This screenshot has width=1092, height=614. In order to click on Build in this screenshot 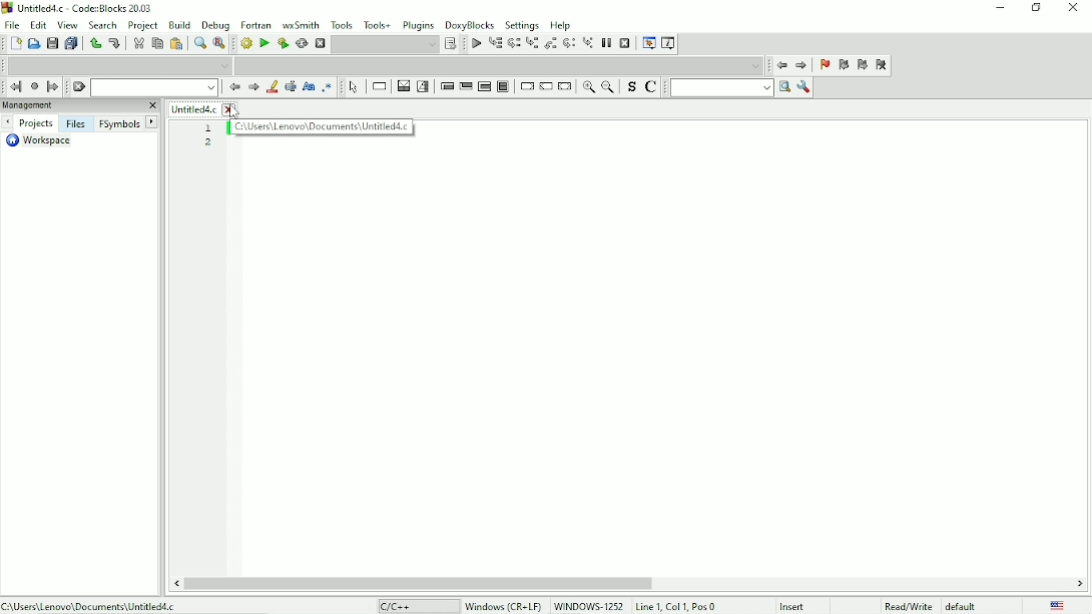, I will do `click(245, 44)`.